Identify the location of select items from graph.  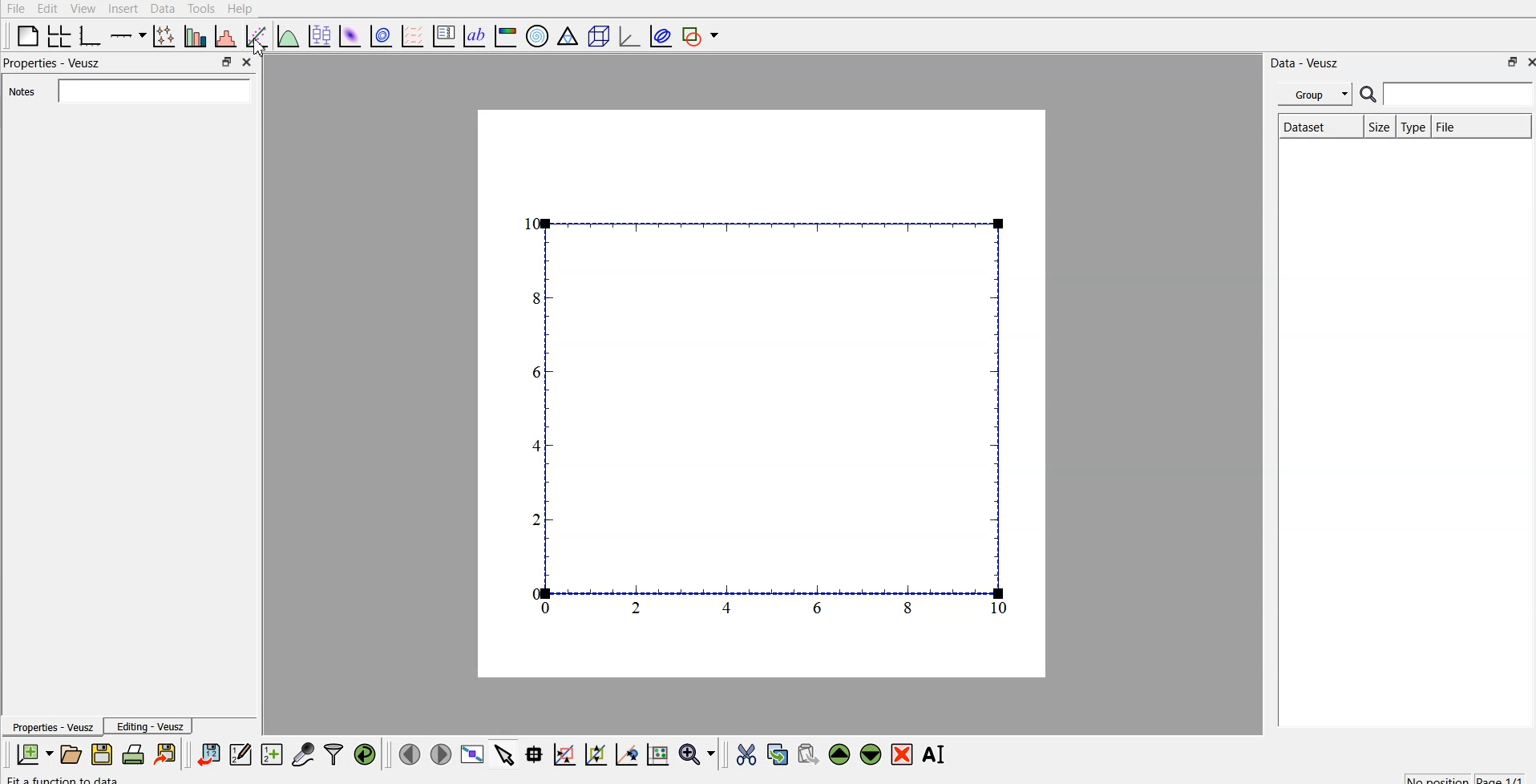
(507, 757).